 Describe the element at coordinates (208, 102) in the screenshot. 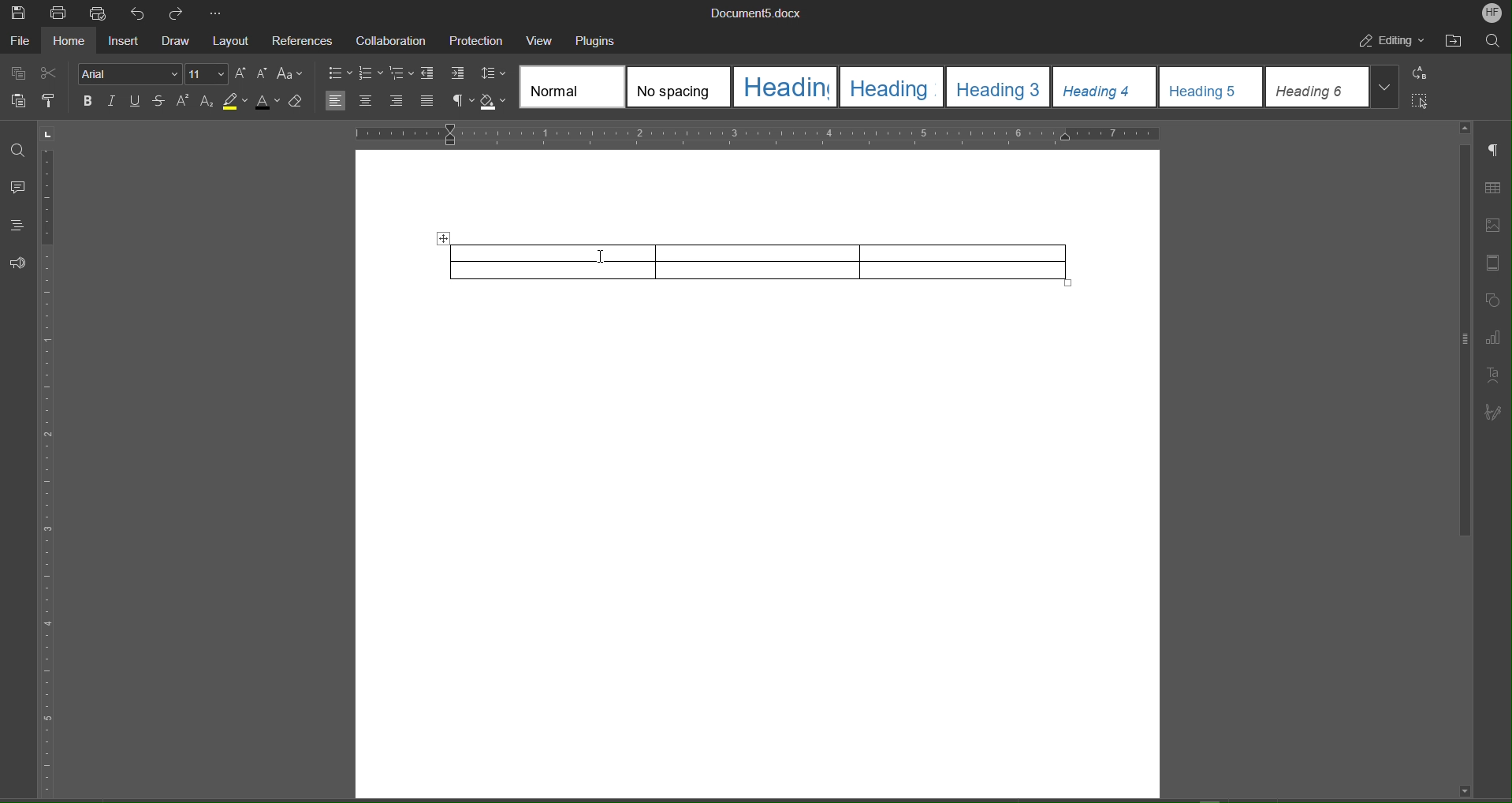

I see `Subscript` at that location.